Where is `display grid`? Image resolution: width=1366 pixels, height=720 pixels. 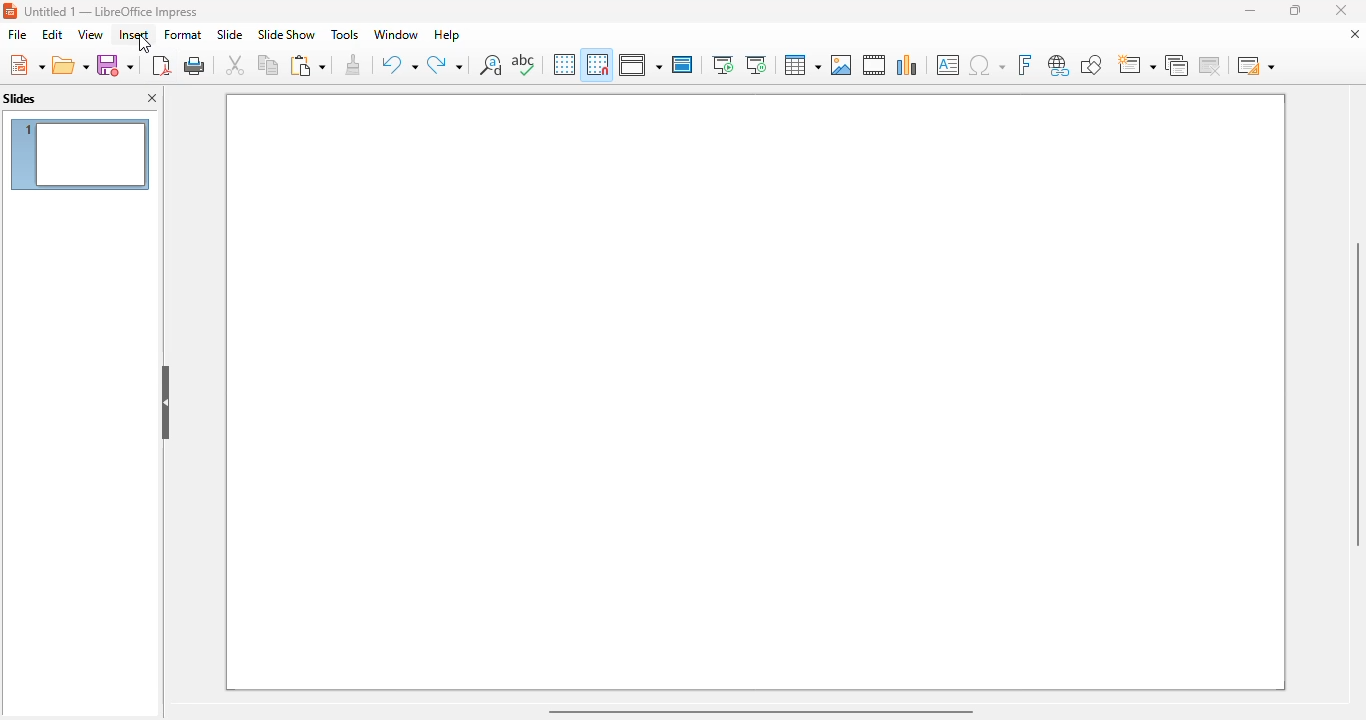 display grid is located at coordinates (563, 64).